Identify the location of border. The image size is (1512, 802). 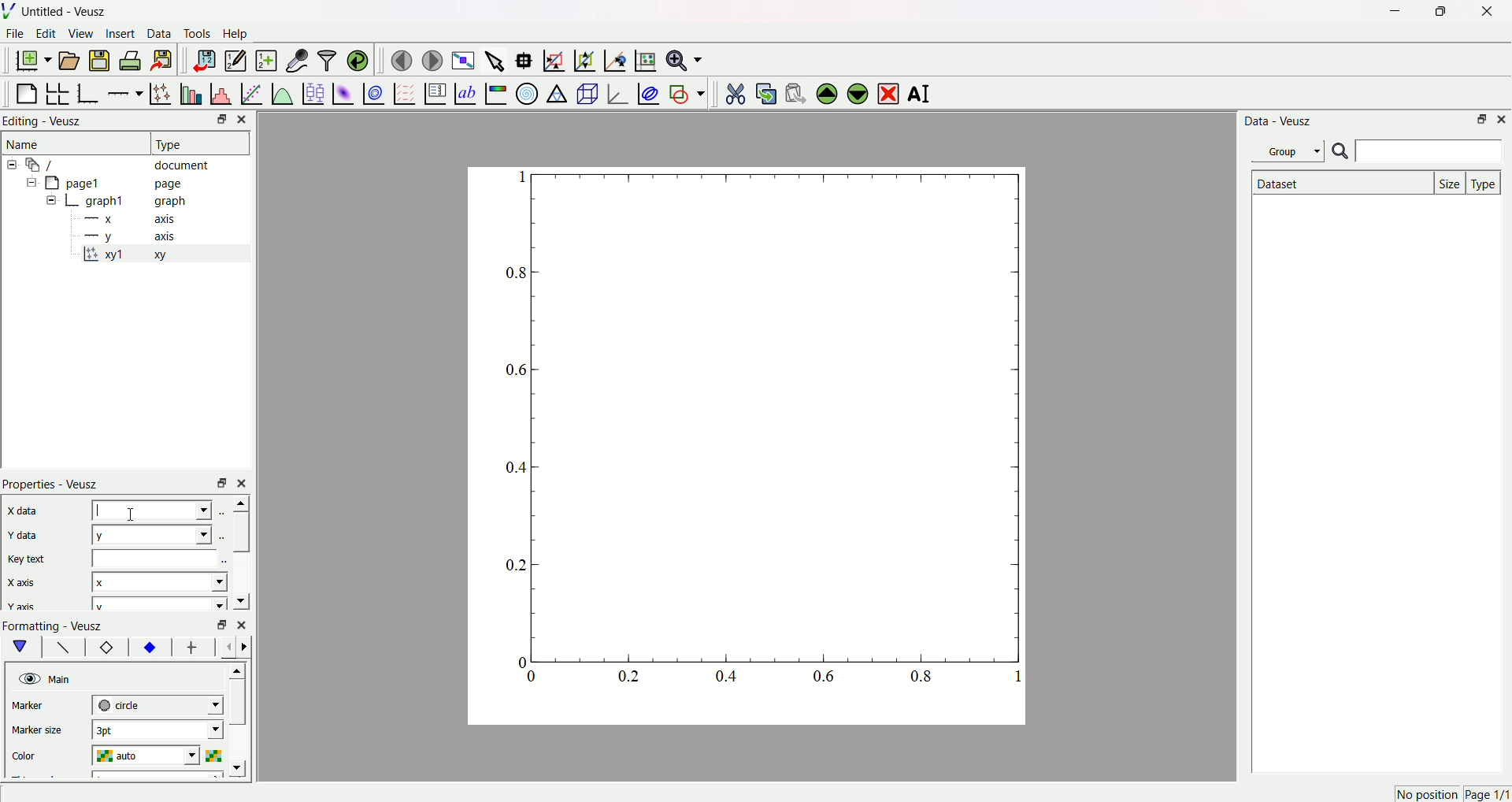
(106, 648).